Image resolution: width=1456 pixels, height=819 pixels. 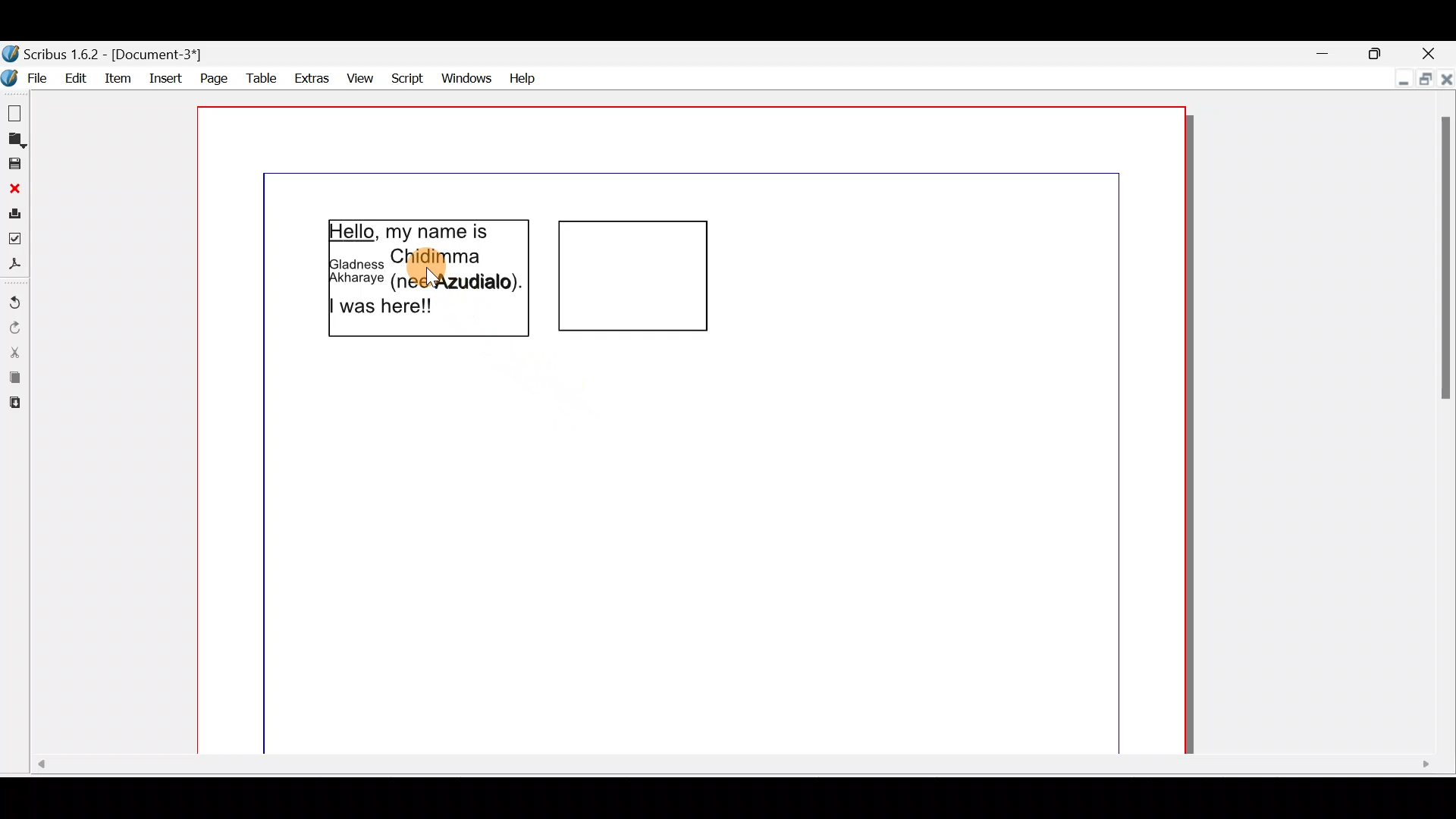 What do you see at coordinates (163, 76) in the screenshot?
I see `Insert` at bounding box center [163, 76].